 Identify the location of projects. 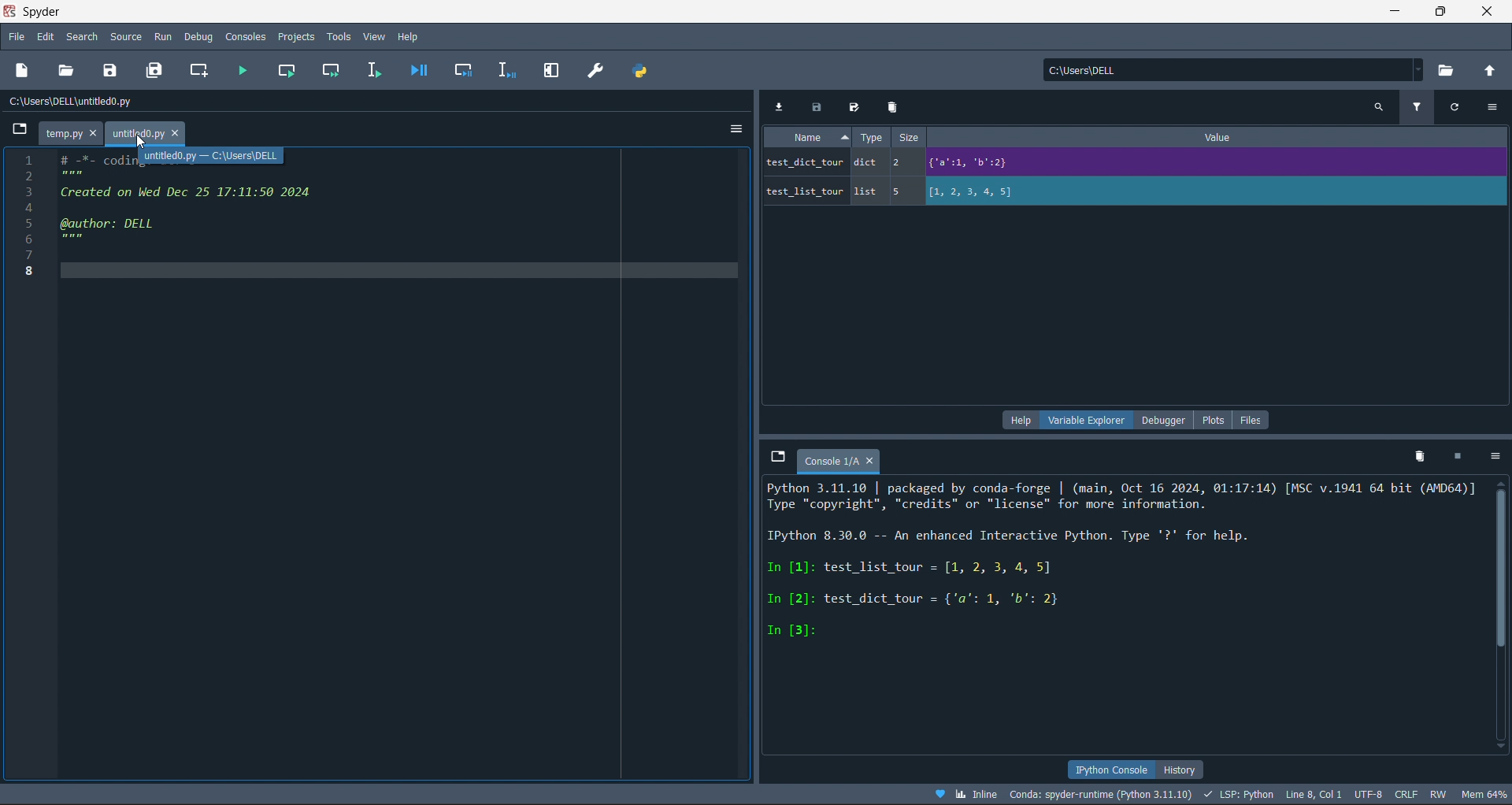
(294, 37).